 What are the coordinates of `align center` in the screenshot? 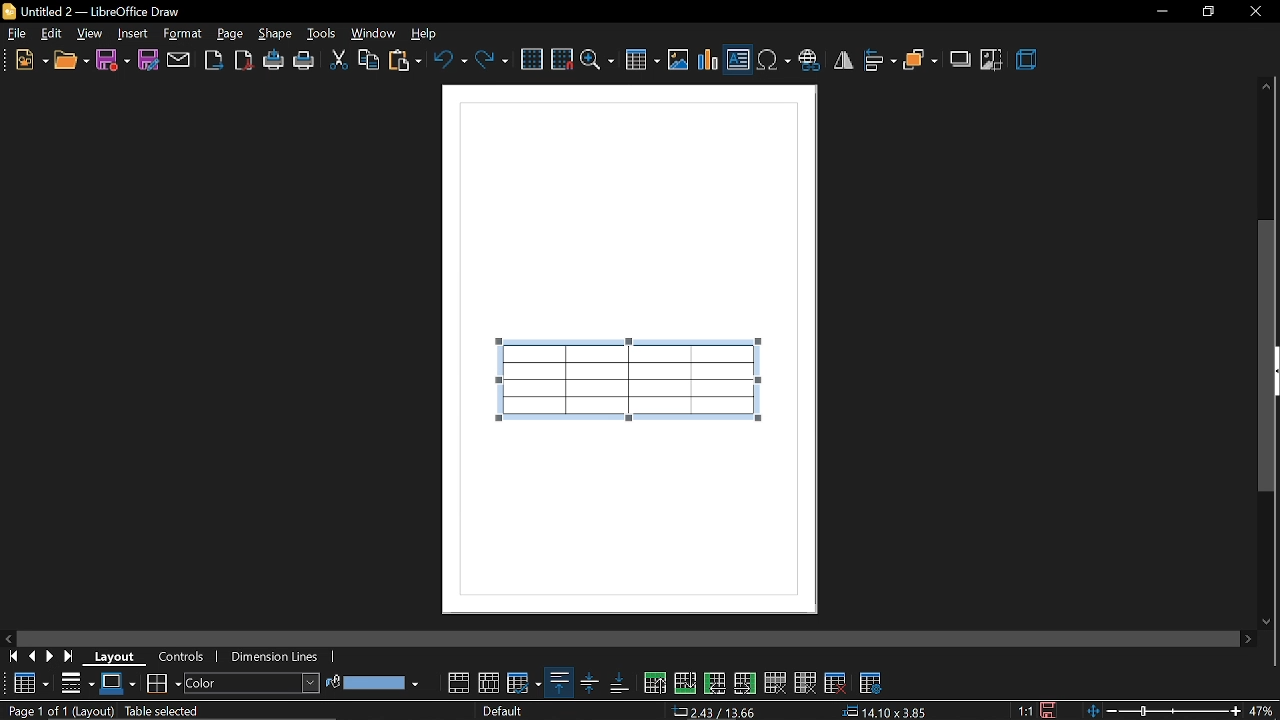 It's located at (589, 683).